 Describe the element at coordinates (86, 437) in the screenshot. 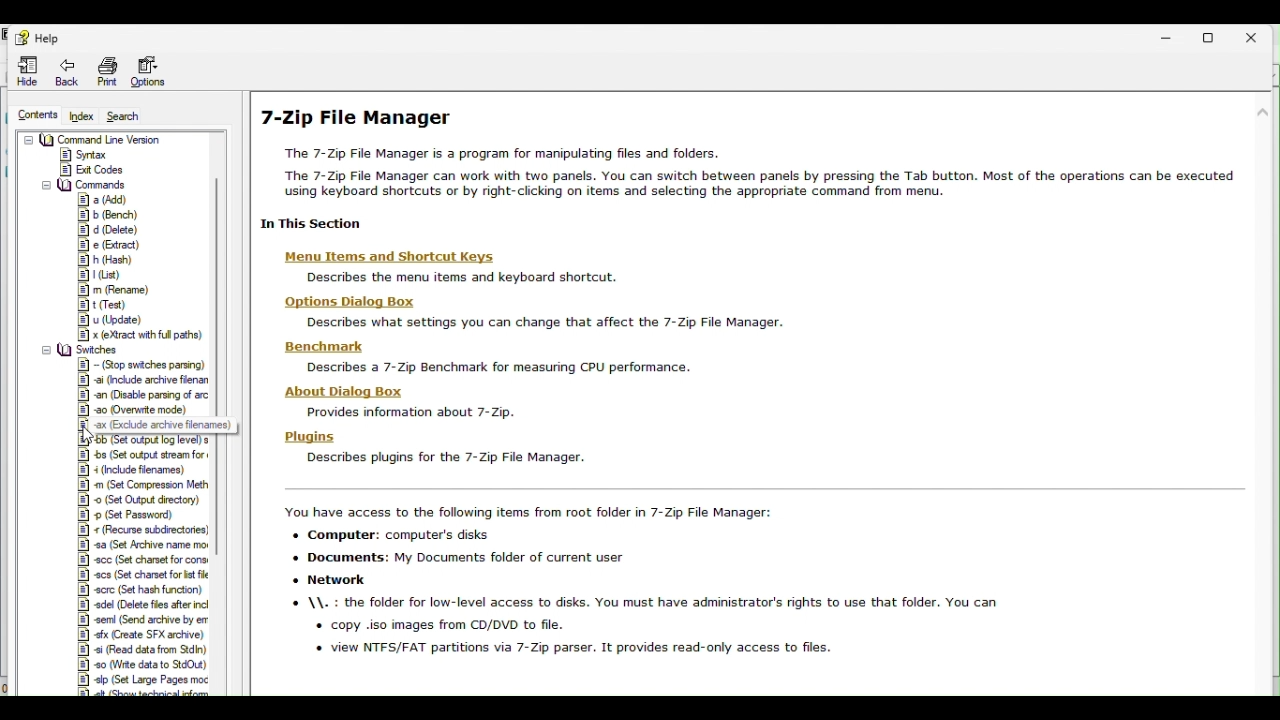

I see `Cursor` at that location.